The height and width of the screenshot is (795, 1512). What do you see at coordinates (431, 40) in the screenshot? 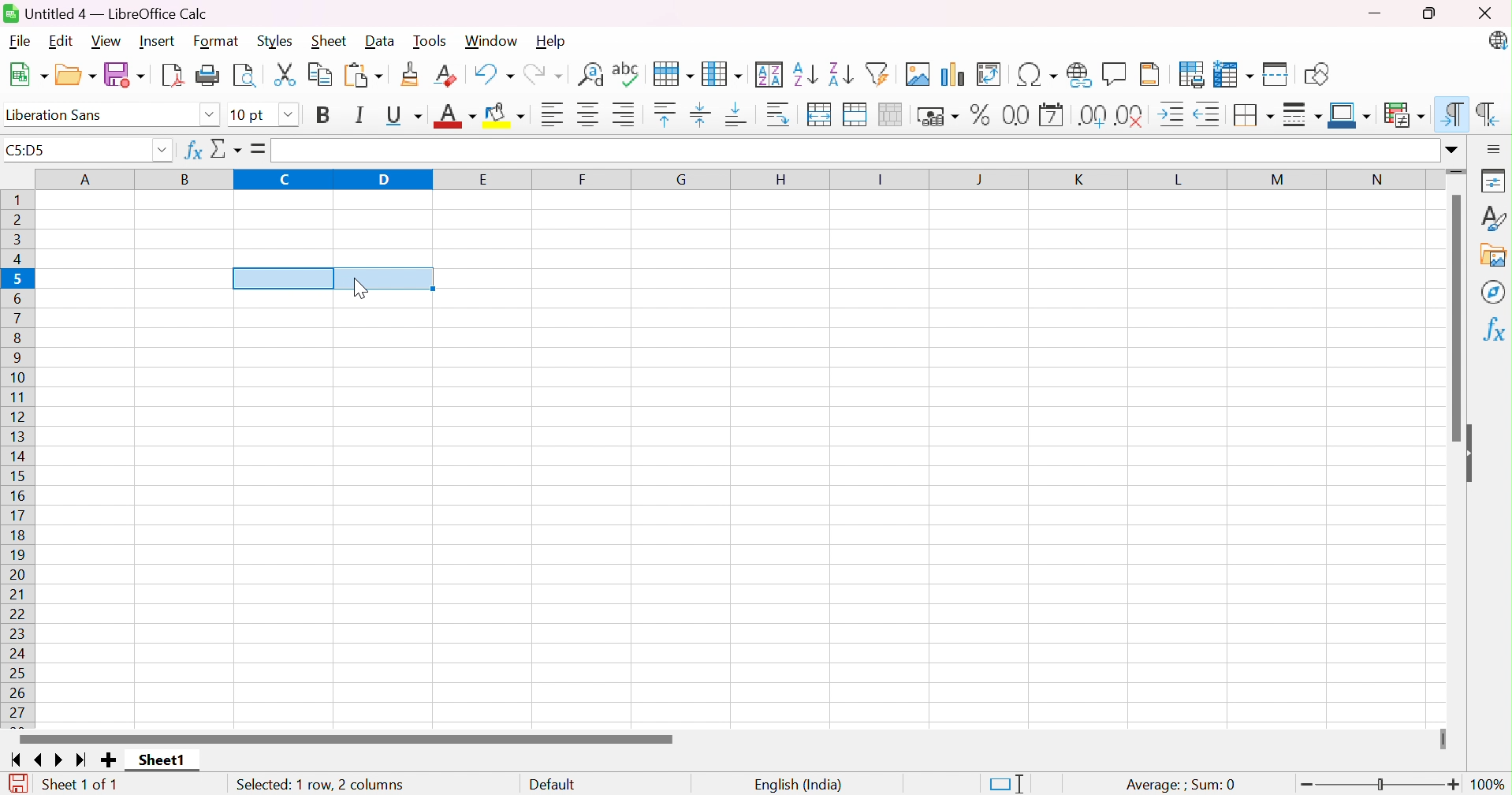
I see `Tools` at bounding box center [431, 40].